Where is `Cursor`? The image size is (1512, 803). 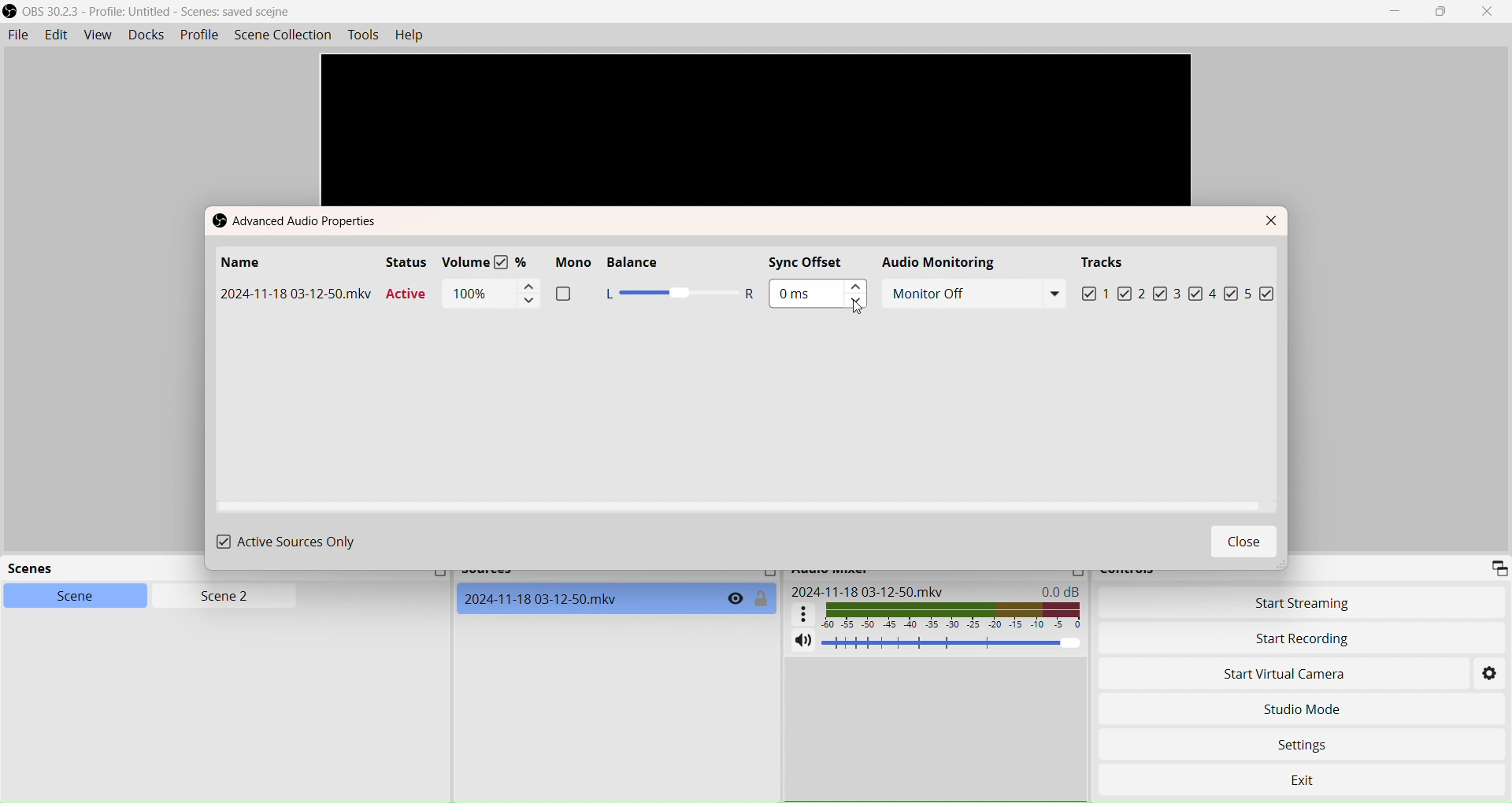
Cursor is located at coordinates (857, 309).